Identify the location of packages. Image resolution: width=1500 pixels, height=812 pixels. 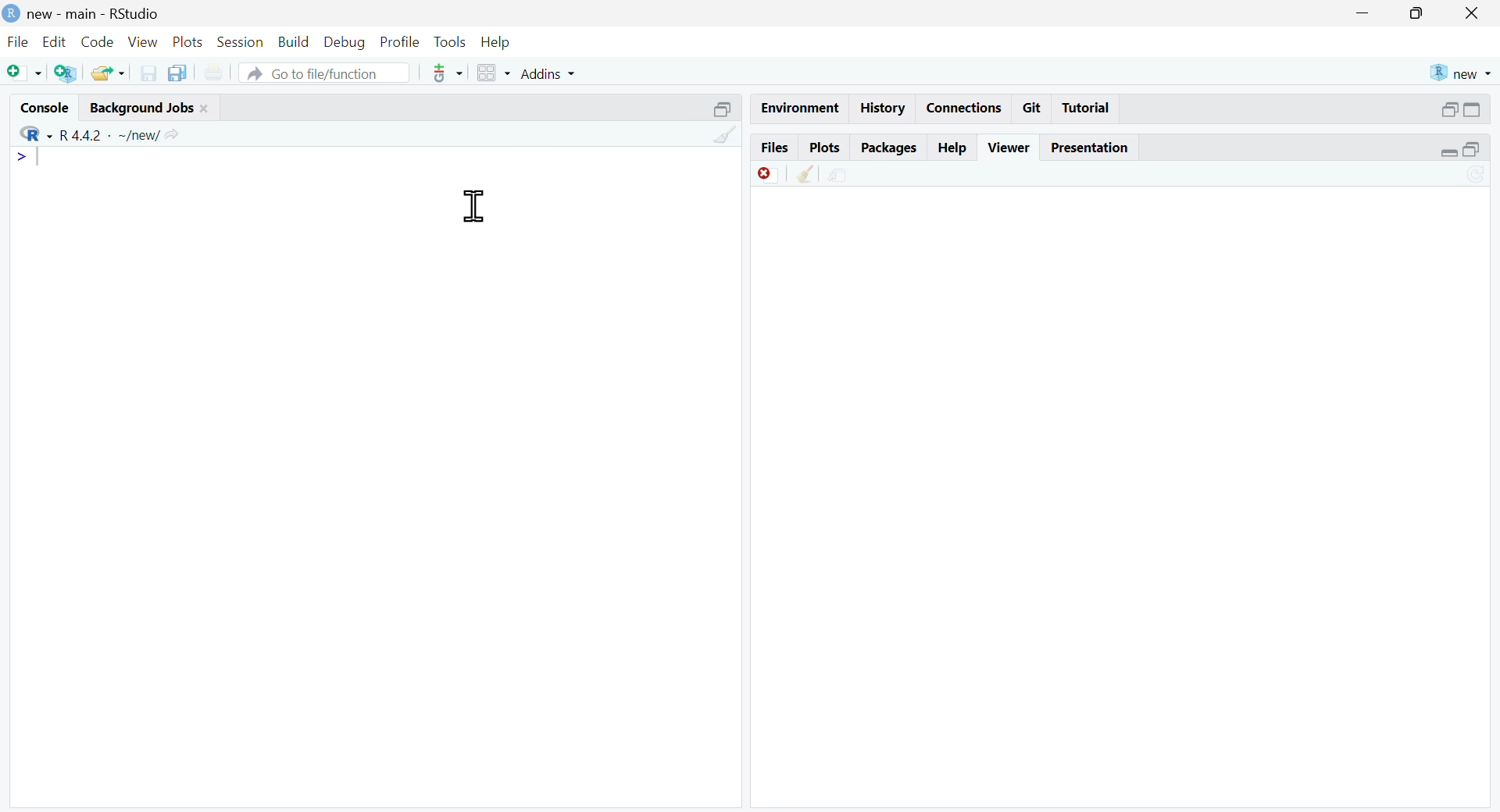
(890, 148).